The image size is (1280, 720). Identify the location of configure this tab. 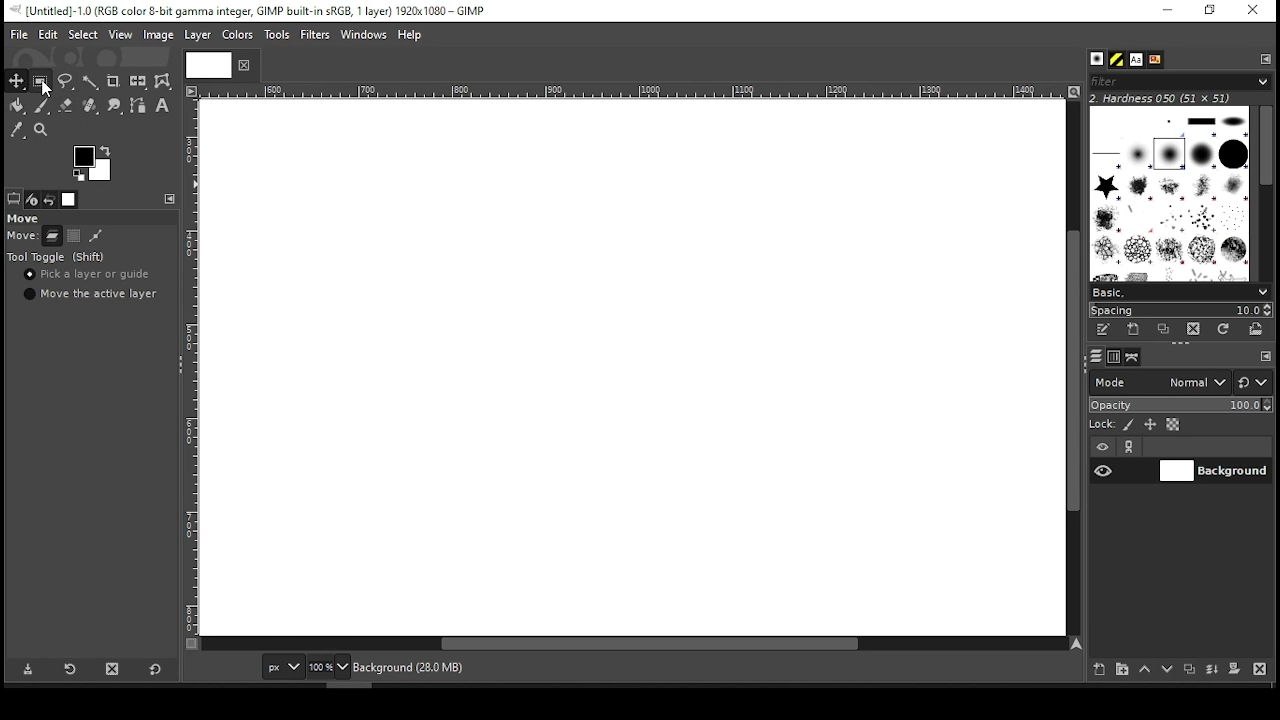
(1266, 358).